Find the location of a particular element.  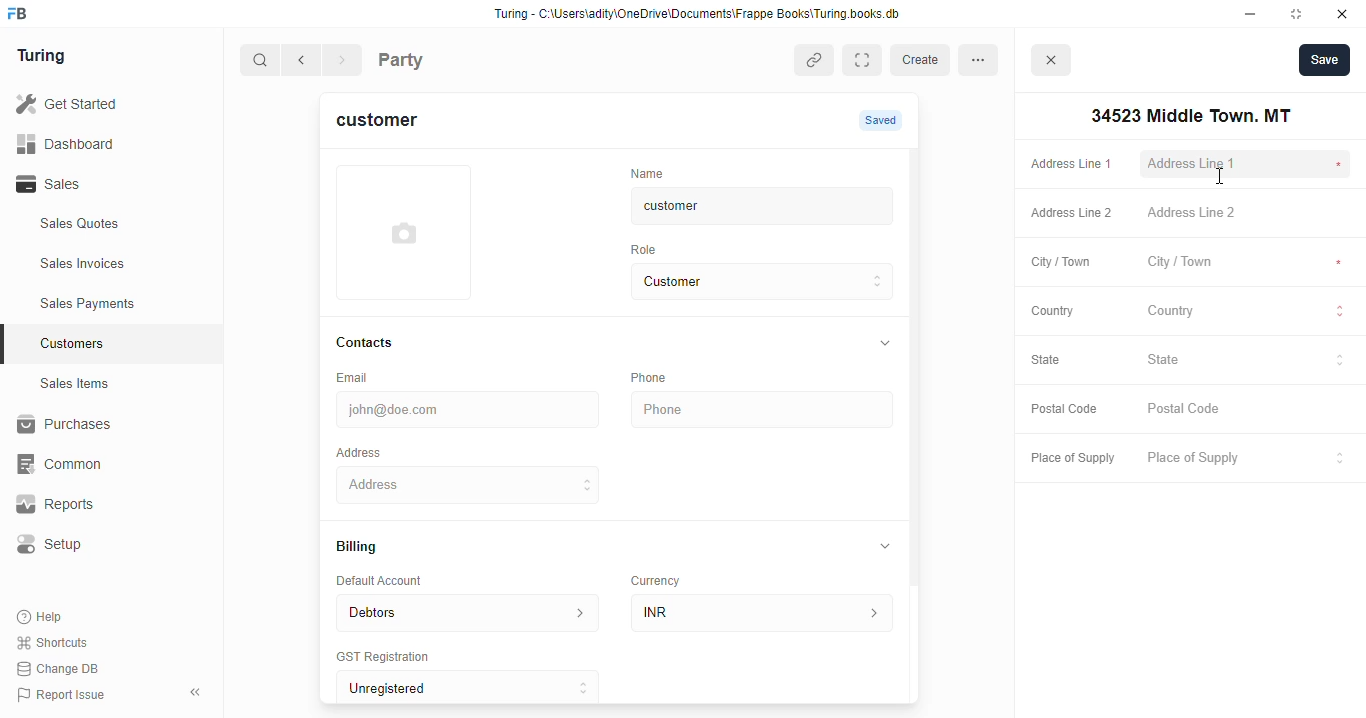

Customer is located at coordinates (746, 282).